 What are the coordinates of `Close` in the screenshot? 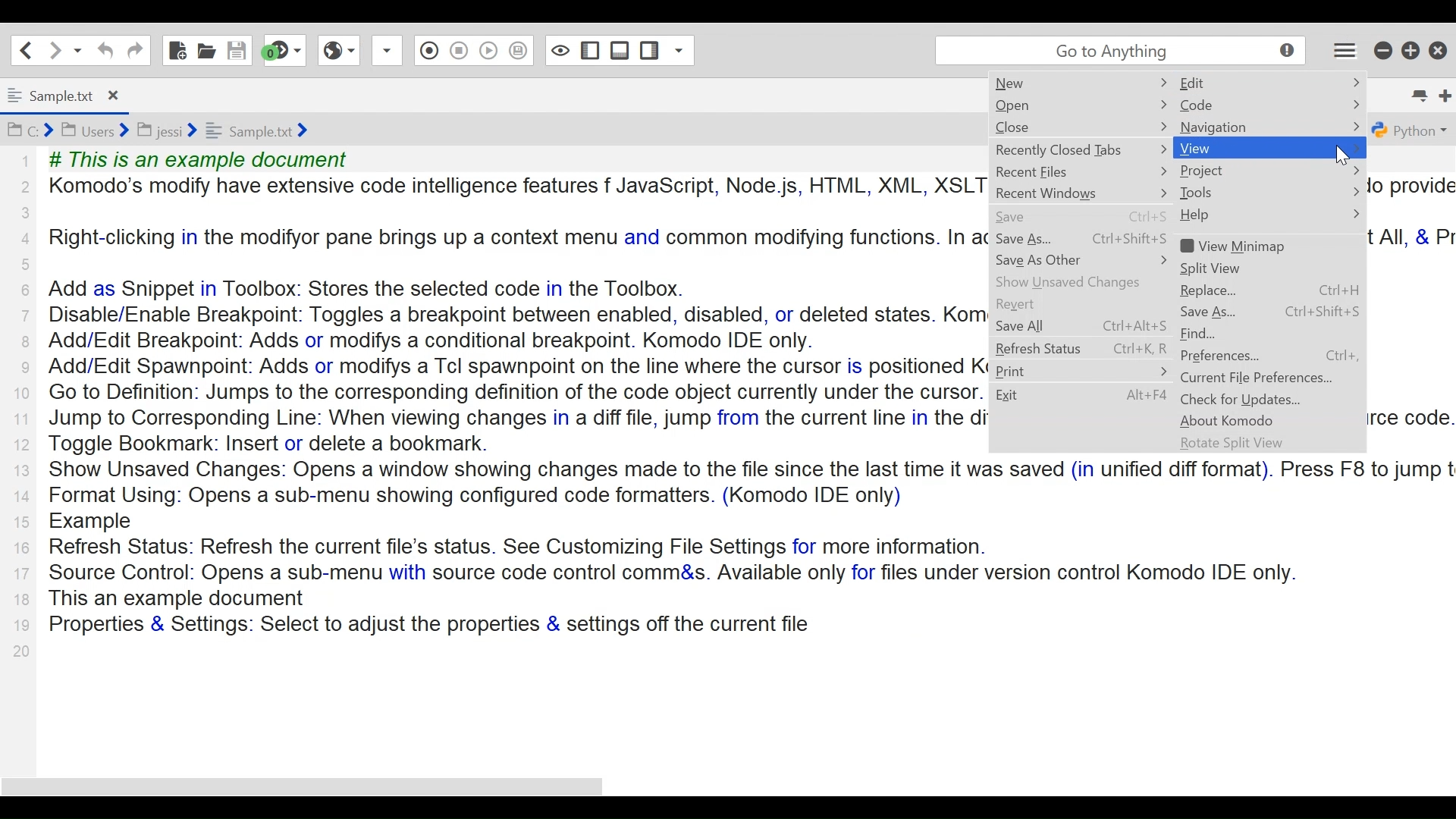 It's located at (1028, 127).